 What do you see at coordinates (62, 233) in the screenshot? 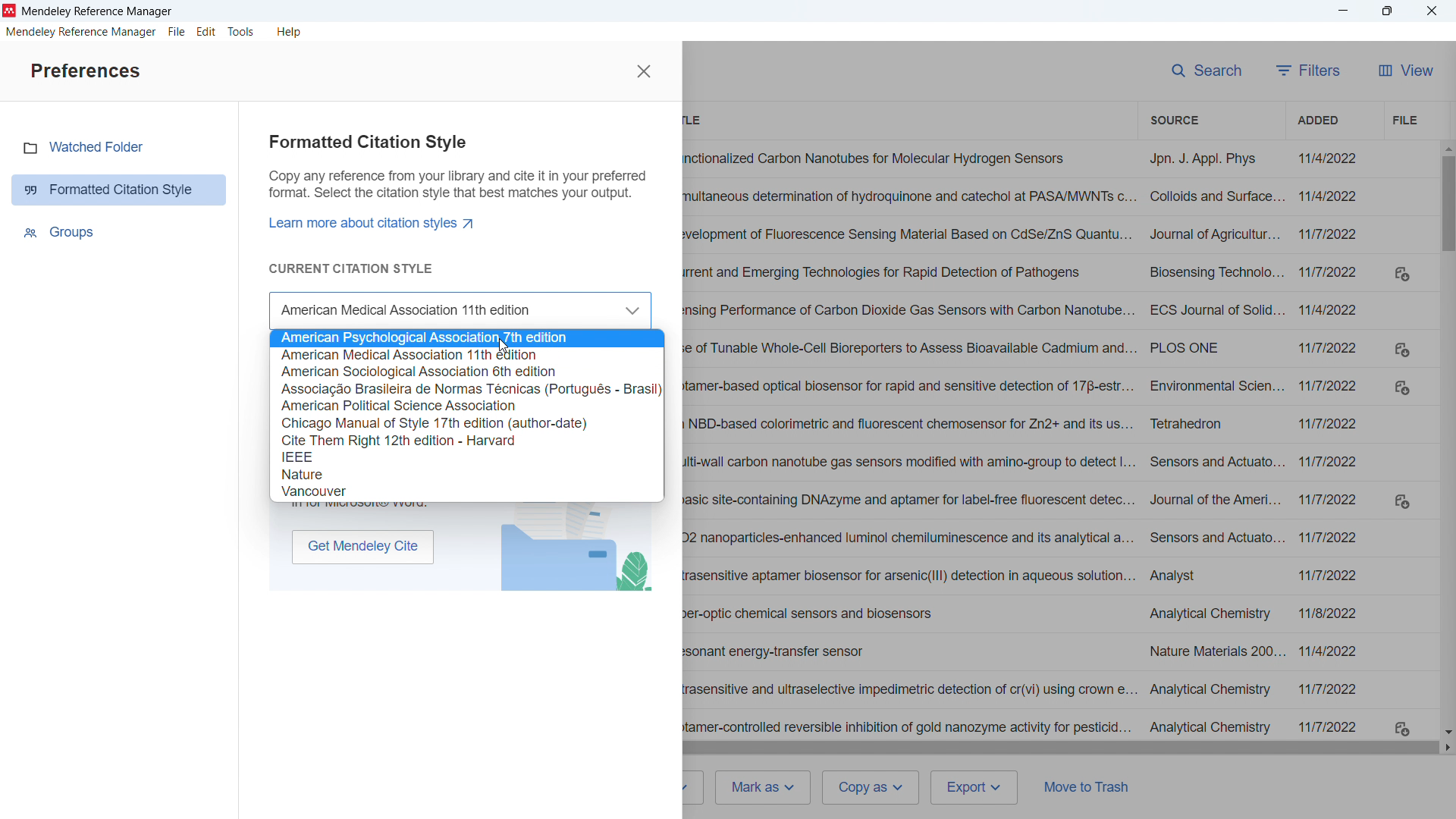
I see `Groups ` at bounding box center [62, 233].